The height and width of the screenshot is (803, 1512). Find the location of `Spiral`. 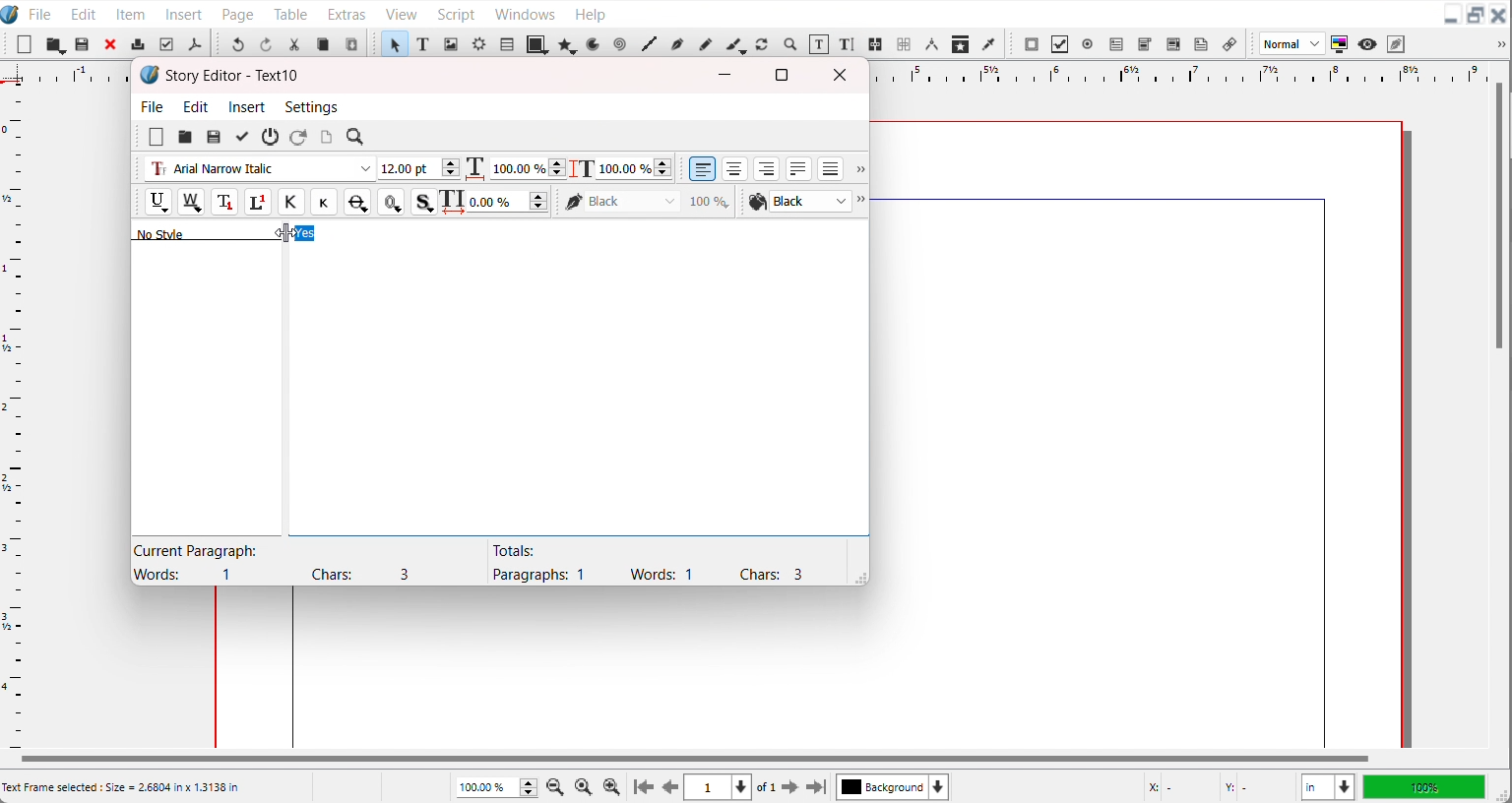

Spiral is located at coordinates (618, 44).